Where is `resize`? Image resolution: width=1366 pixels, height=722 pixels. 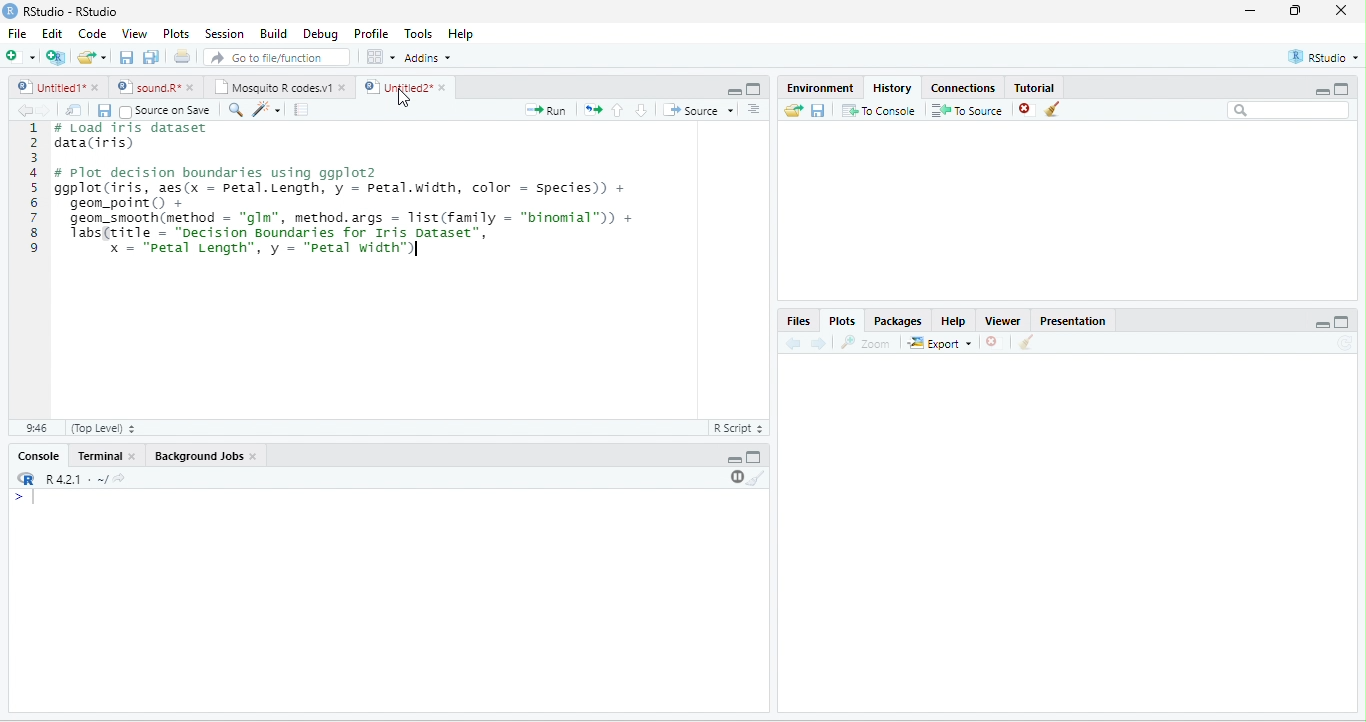 resize is located at coordinates (1296, 10).